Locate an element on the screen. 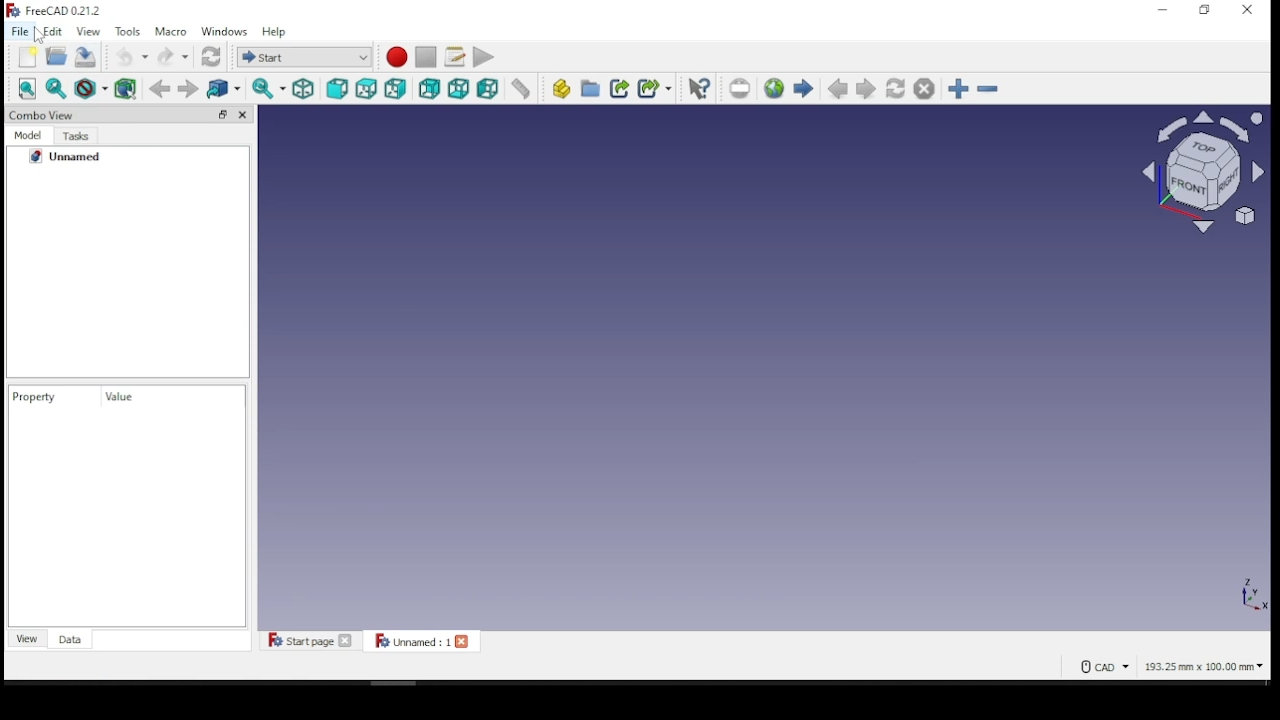  cad is located at coordinates (1096, 667).